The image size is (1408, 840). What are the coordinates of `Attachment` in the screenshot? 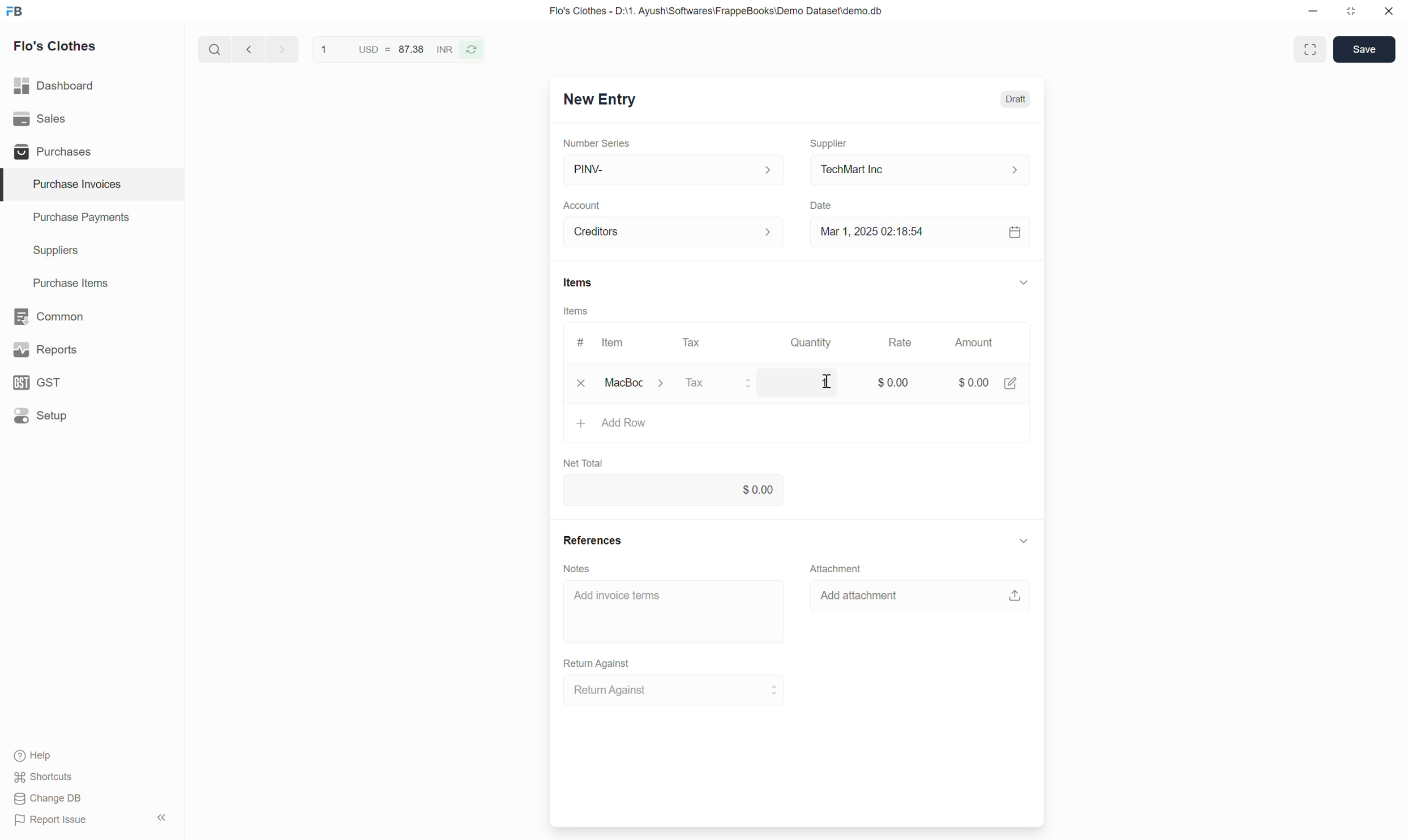 It's located at (836, 568).